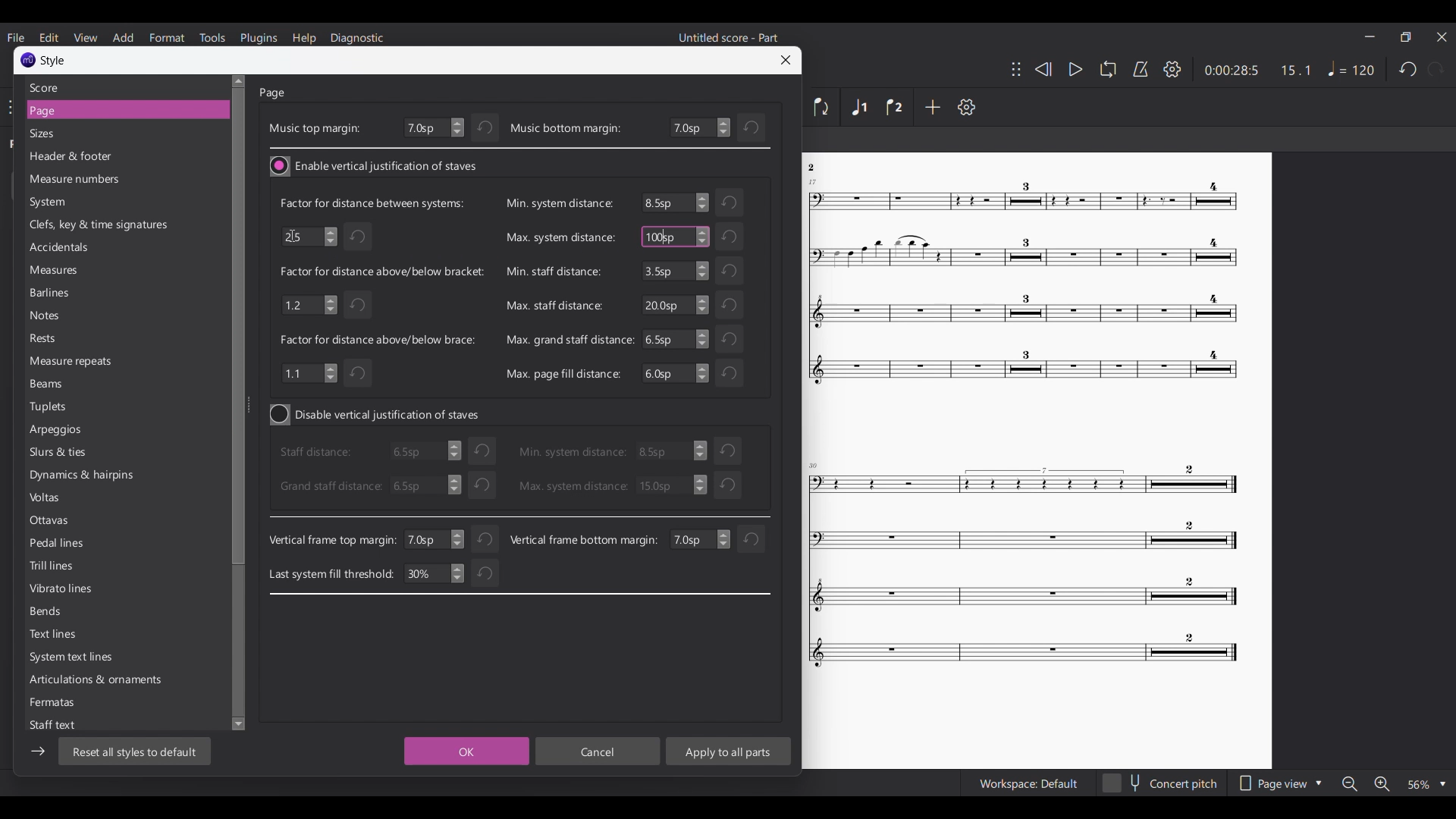  Describe the element at coordinates (1442, 36) in the screenshot. I see `Close interface` at that location.